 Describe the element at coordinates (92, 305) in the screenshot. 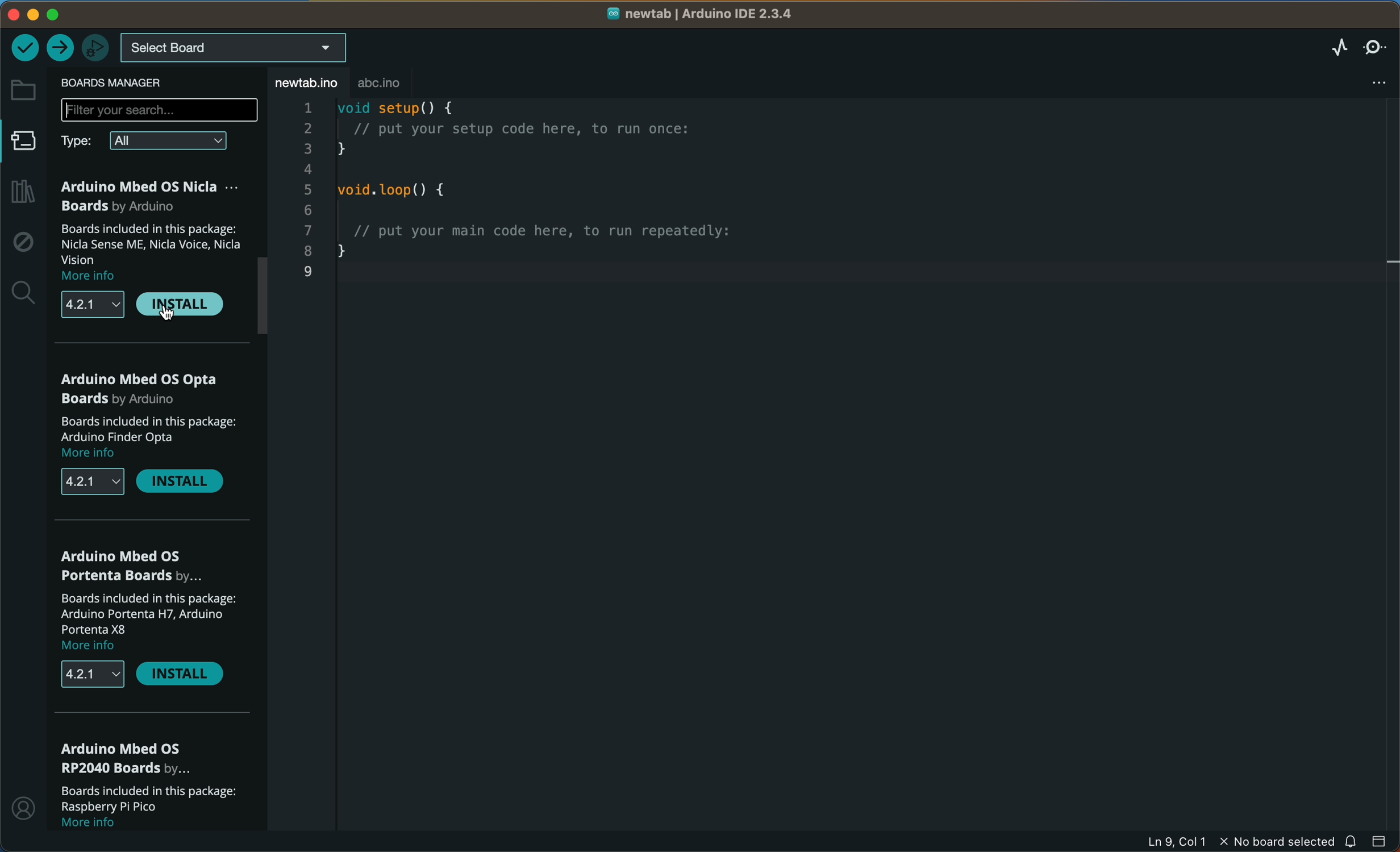

I see `versions` at that location.